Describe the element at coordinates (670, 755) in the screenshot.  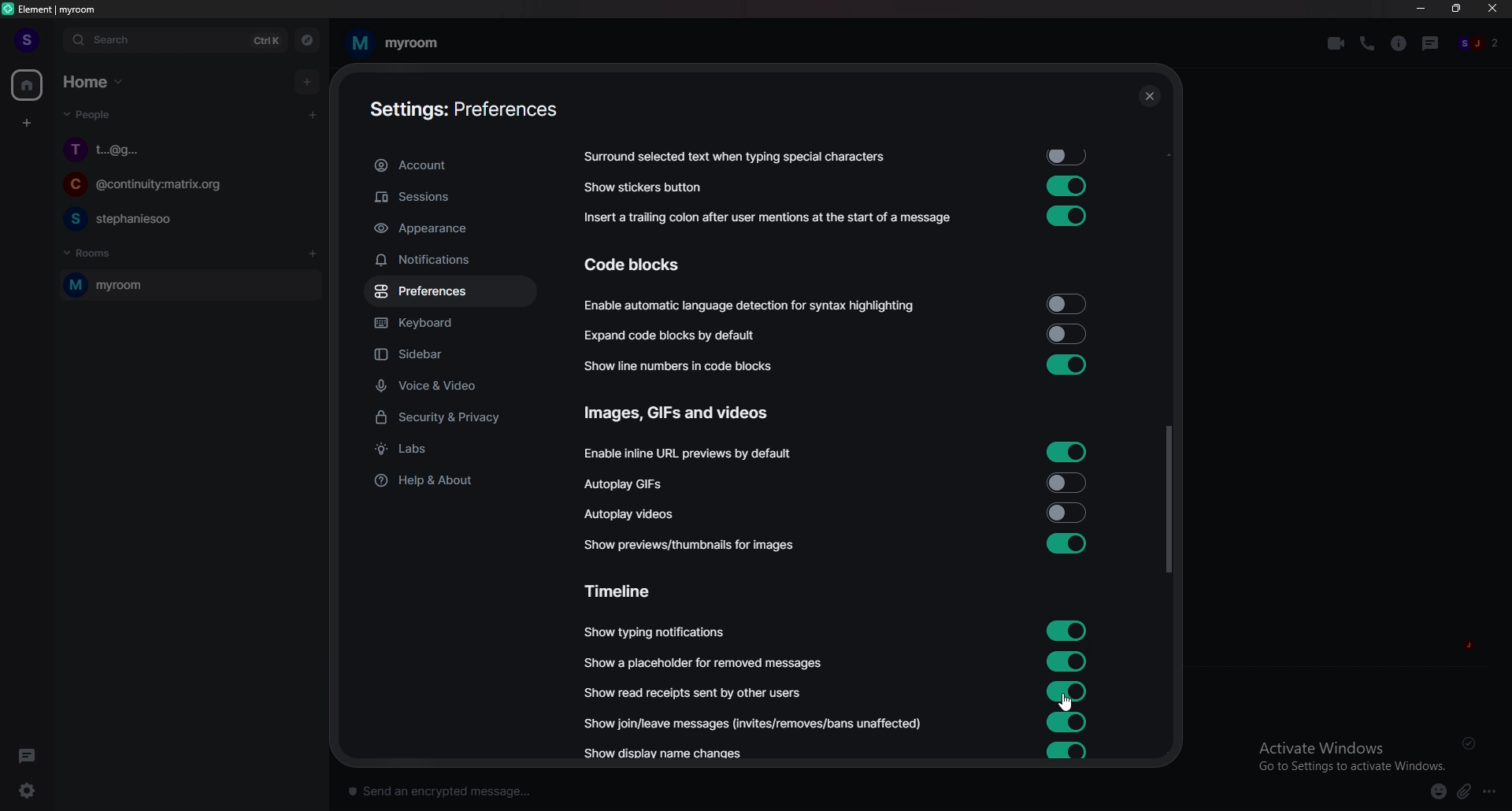
I see `show display name changes` at that location.